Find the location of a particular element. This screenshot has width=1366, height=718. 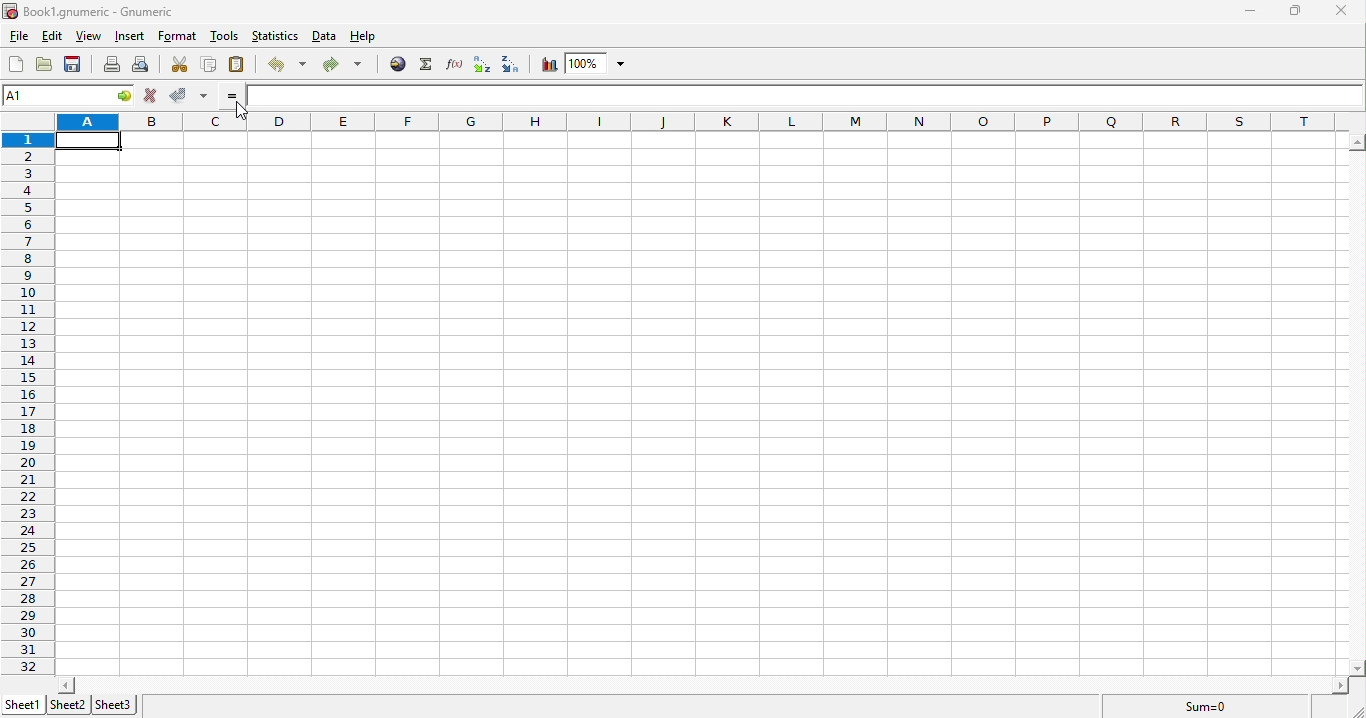

save is located at coordinates (73, 65).